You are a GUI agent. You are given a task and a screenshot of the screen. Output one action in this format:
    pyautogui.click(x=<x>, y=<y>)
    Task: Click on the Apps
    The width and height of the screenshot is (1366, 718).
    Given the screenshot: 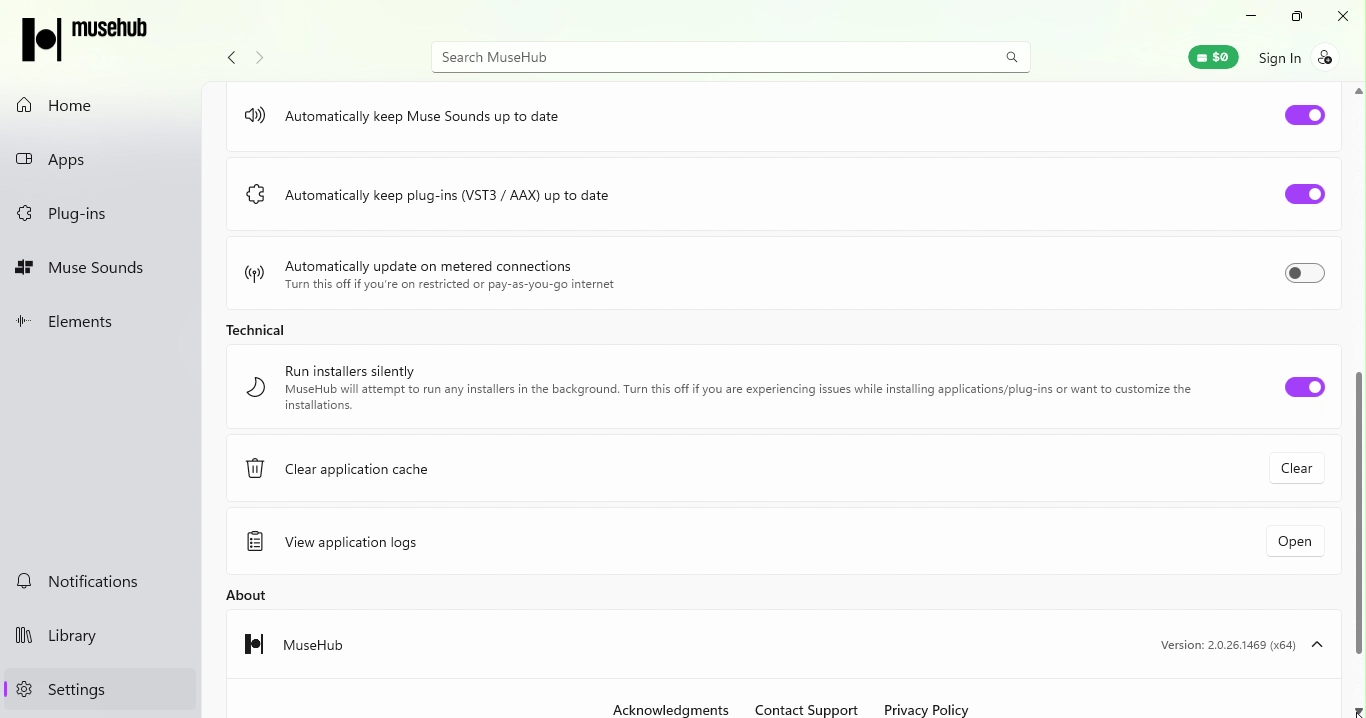 What is the action you would take?
    pyautogui.click(x=88, y=164)
    